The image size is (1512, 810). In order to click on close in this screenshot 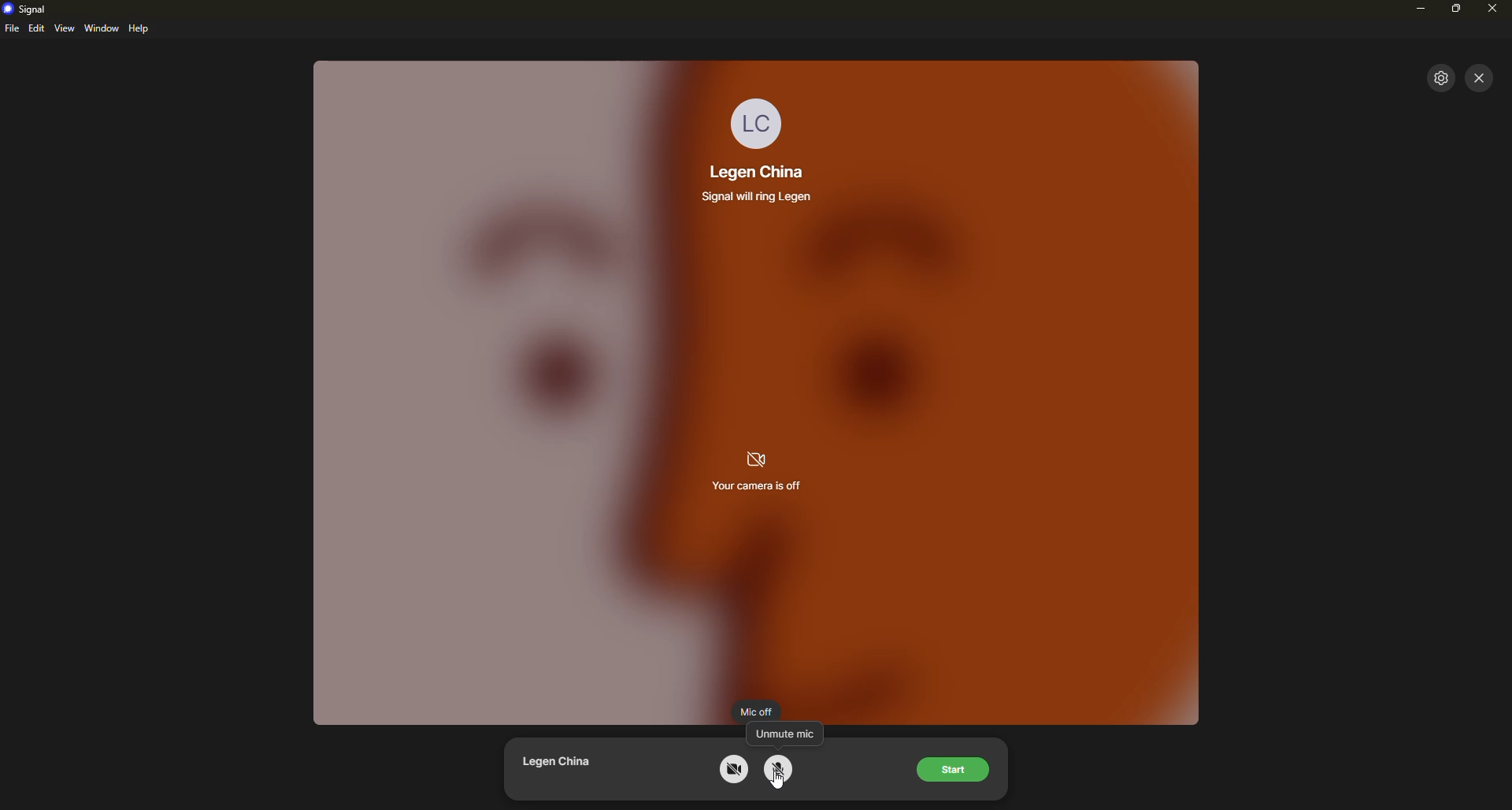, I will do `click(1492, 9)`.